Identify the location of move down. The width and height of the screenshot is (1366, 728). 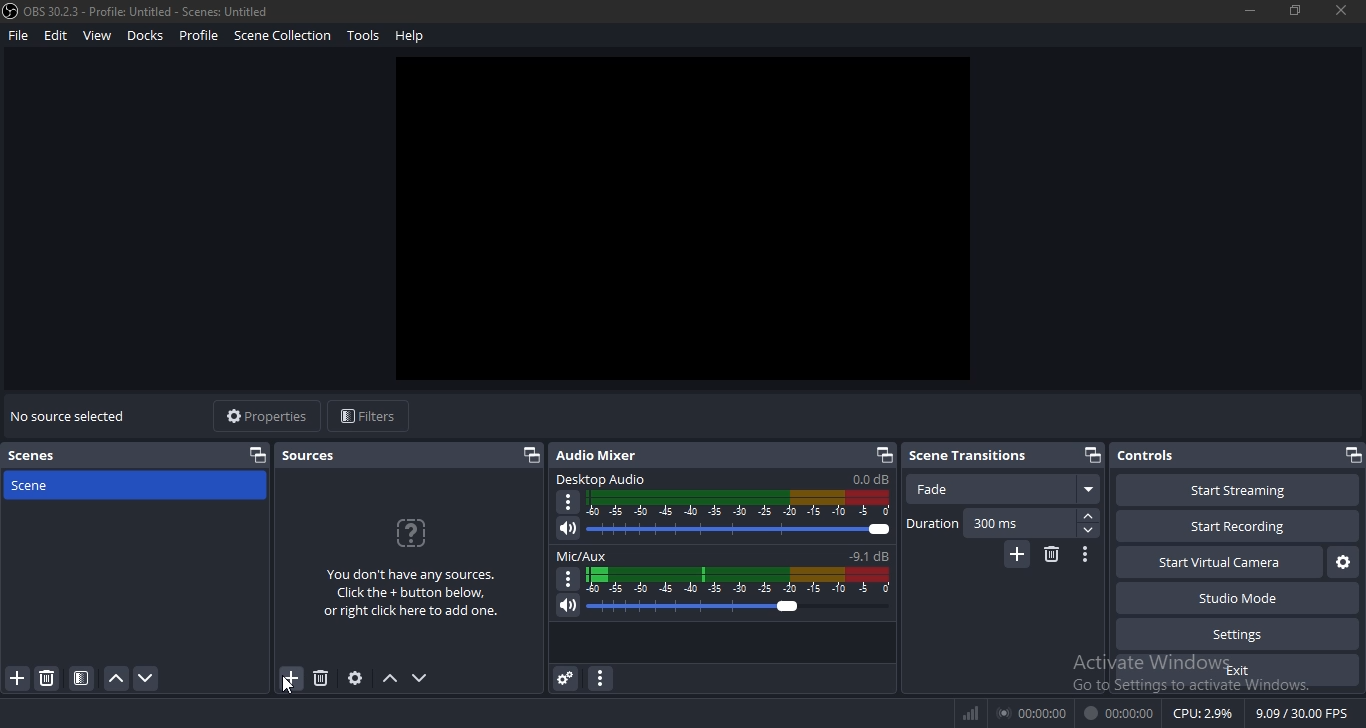
(149, 679).